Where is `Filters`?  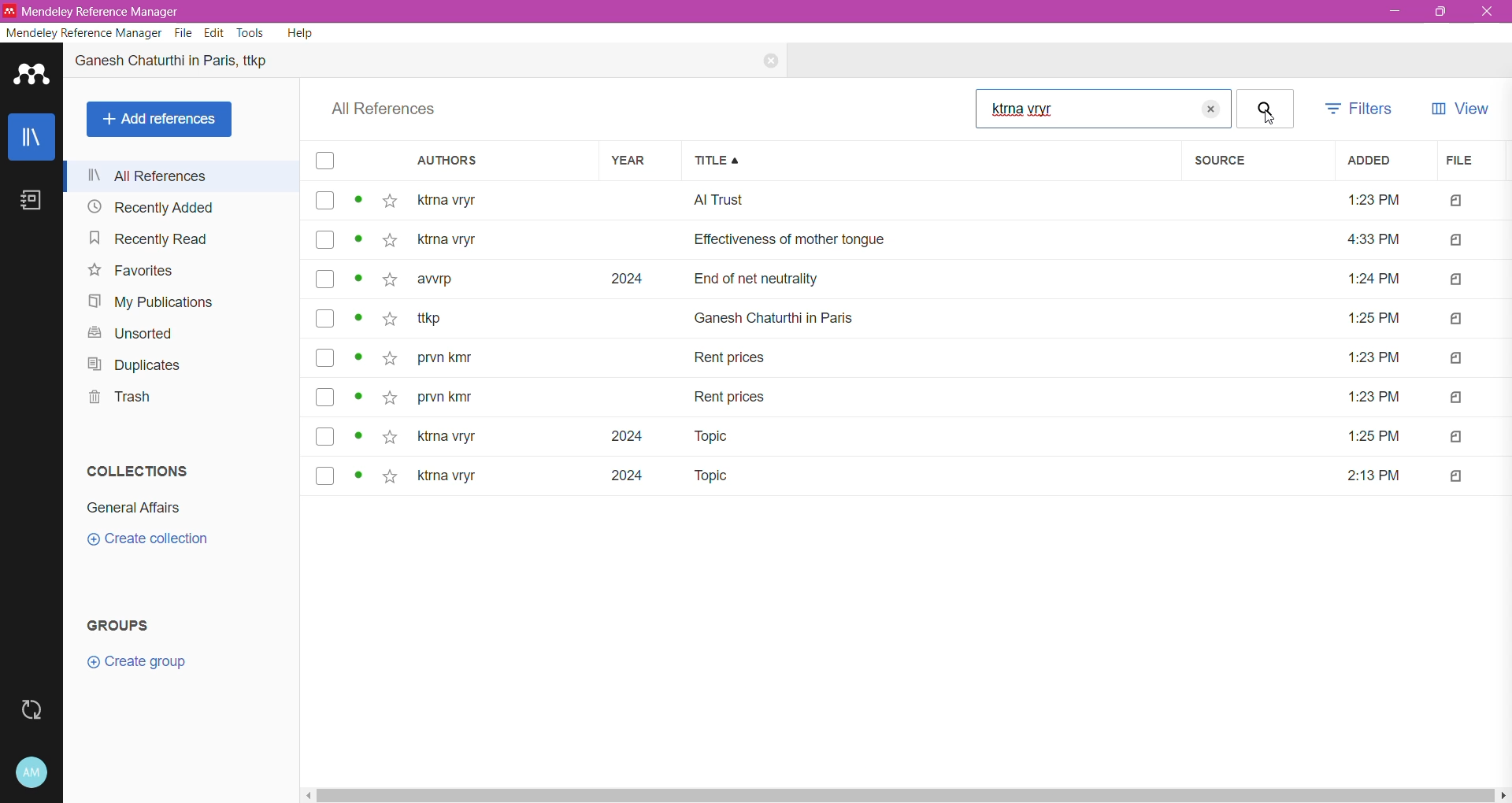
Filters is located at coordinates (1362, 109).